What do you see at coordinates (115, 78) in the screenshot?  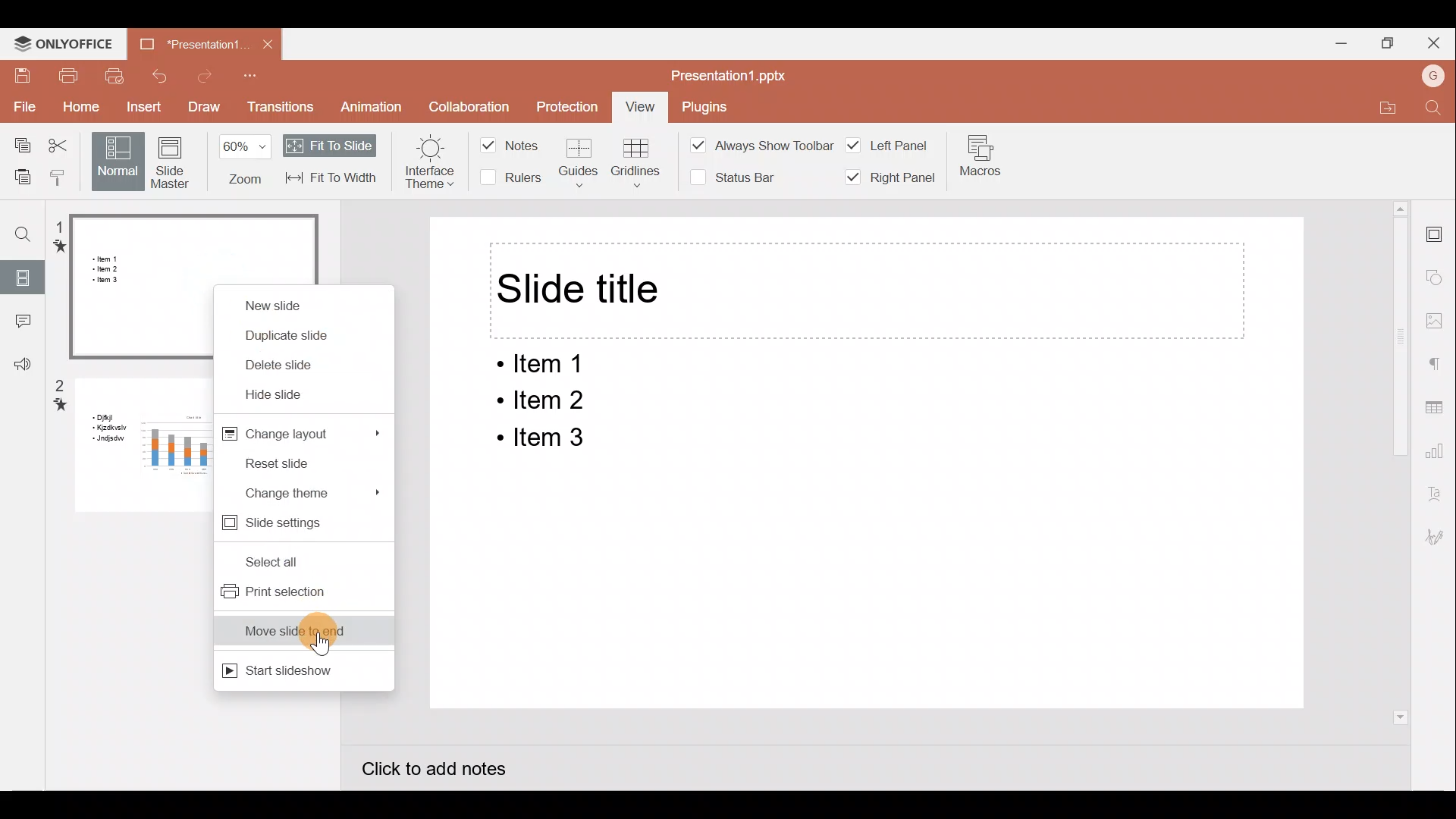 I see `Quick print` at bounding box center [115, 78].